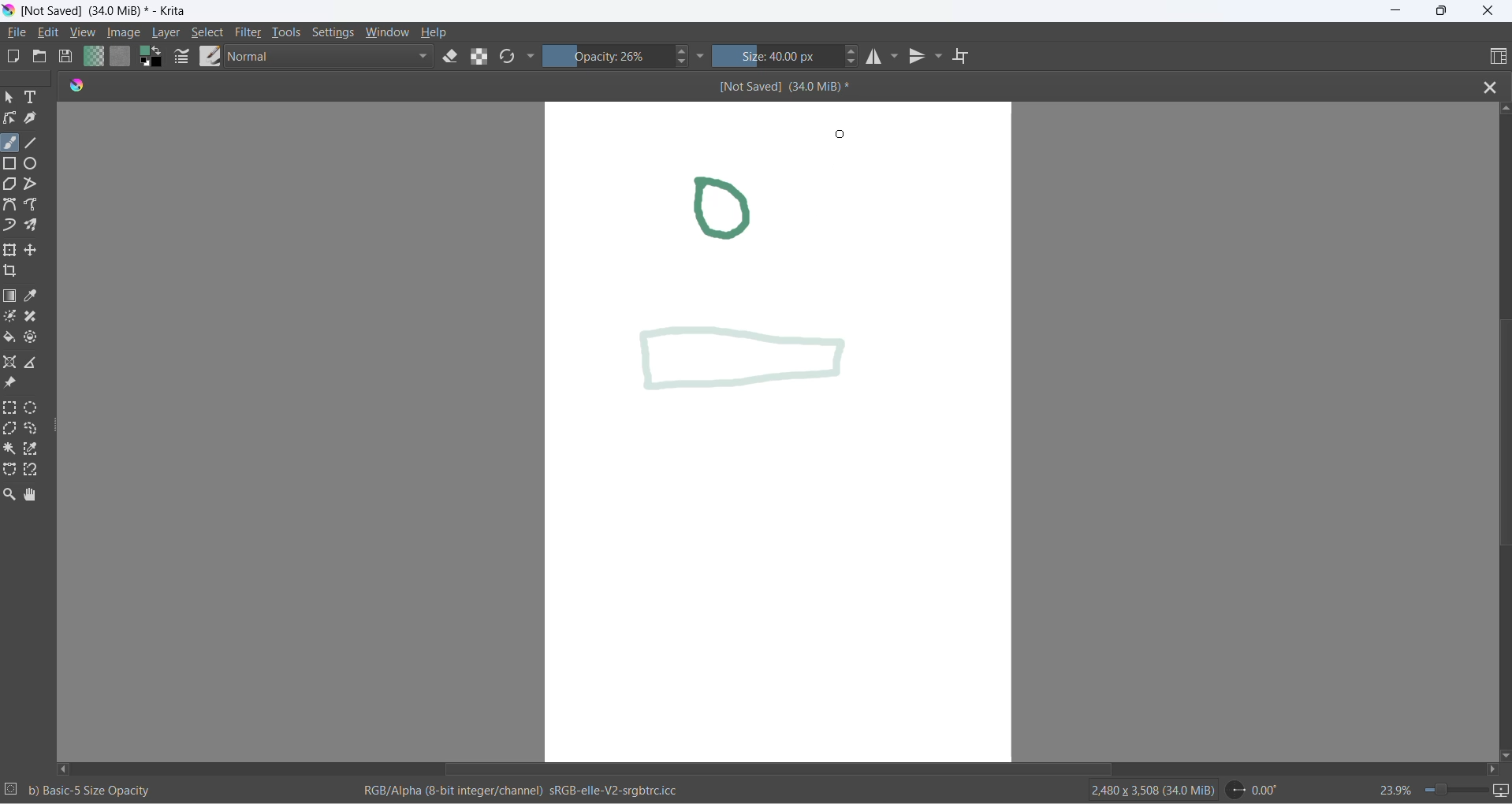  I want to click on scroll up button, so click(1503, 109).